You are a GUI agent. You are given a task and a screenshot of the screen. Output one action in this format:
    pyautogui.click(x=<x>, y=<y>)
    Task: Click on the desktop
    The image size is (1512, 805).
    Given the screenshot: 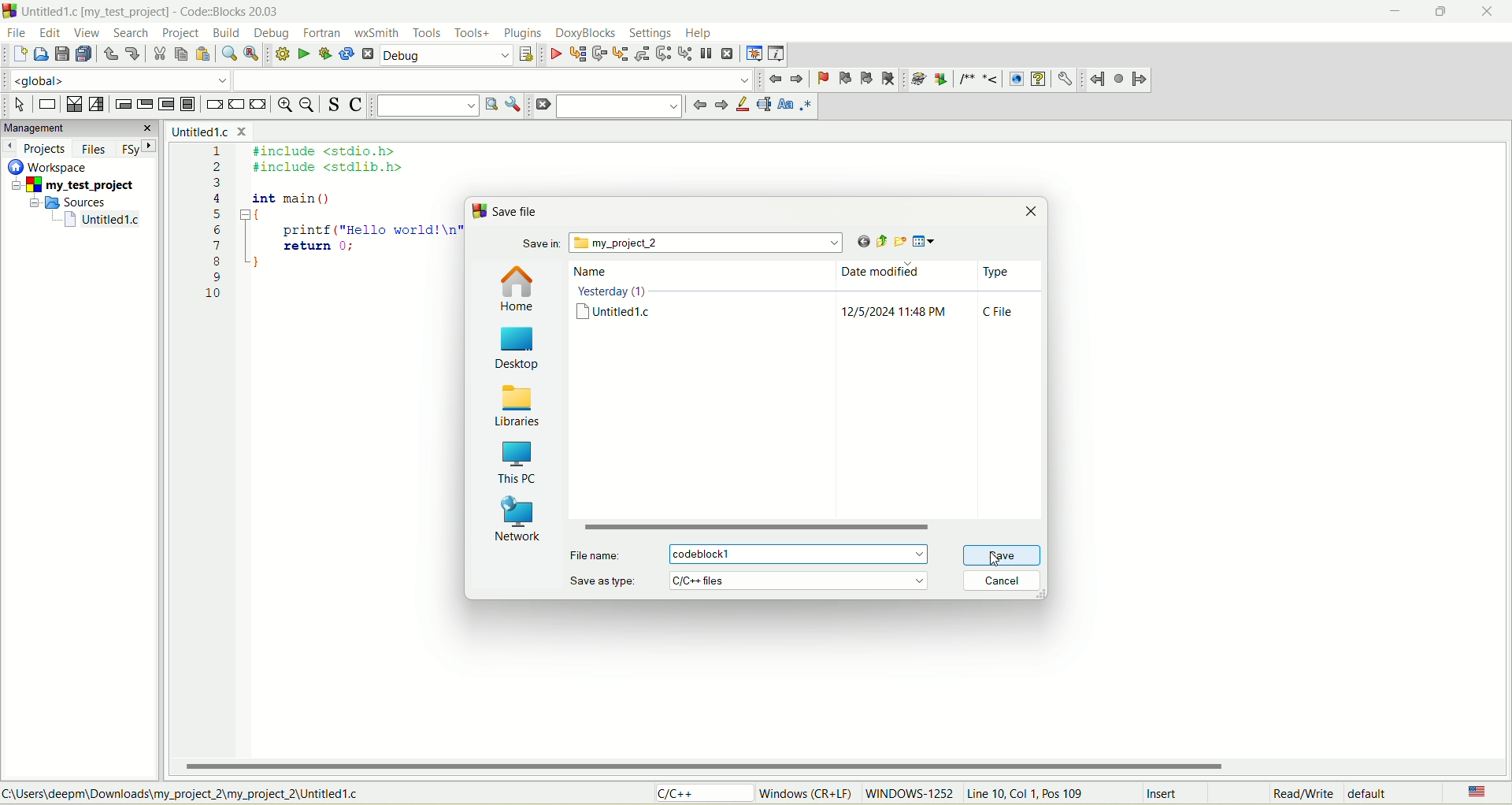 What is the action you would take?
    pyautogui.click(x=521, y=347)
    